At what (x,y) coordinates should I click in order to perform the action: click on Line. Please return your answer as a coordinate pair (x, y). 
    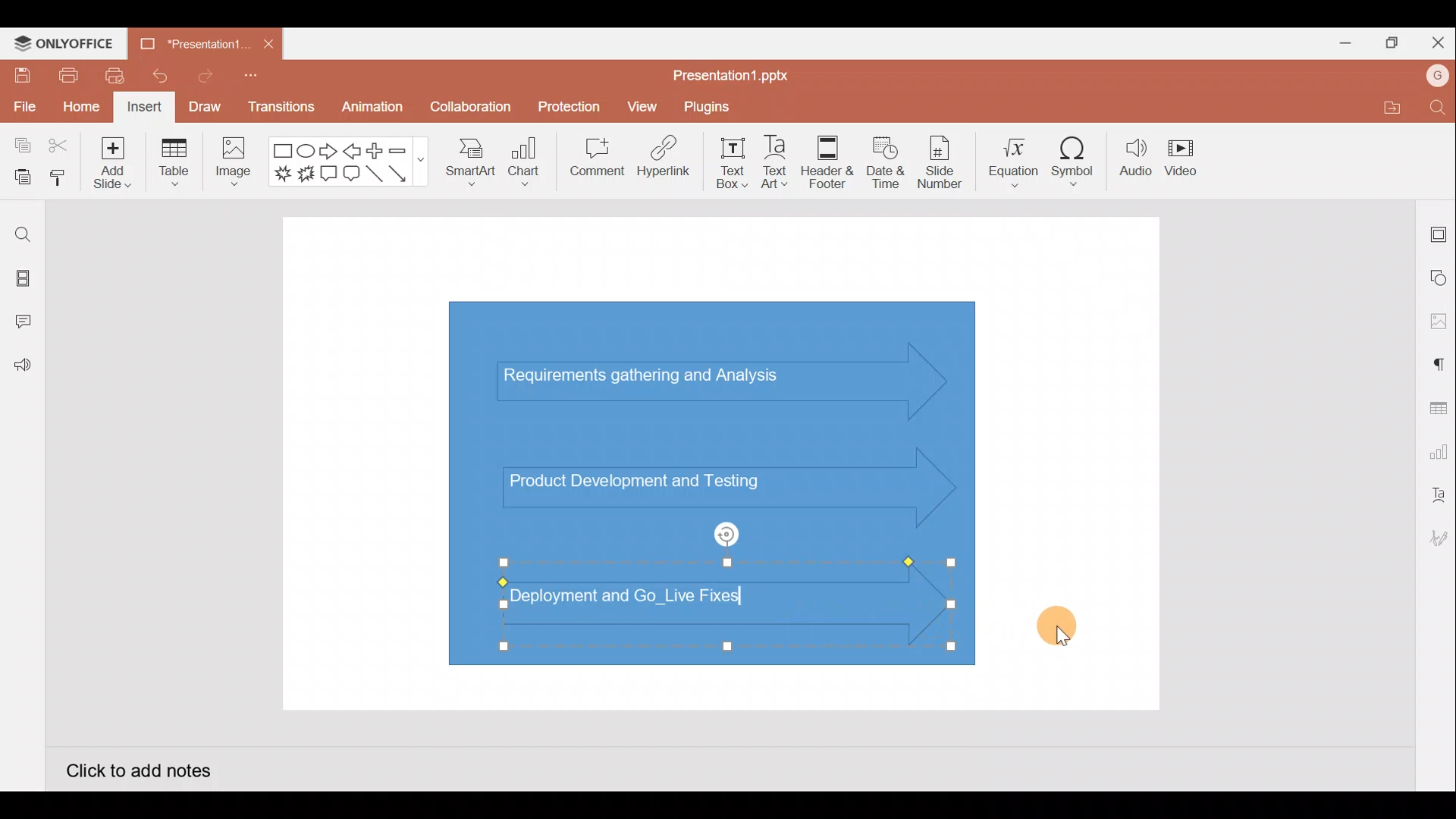
    Looking at the image, I should click on (376, 178).